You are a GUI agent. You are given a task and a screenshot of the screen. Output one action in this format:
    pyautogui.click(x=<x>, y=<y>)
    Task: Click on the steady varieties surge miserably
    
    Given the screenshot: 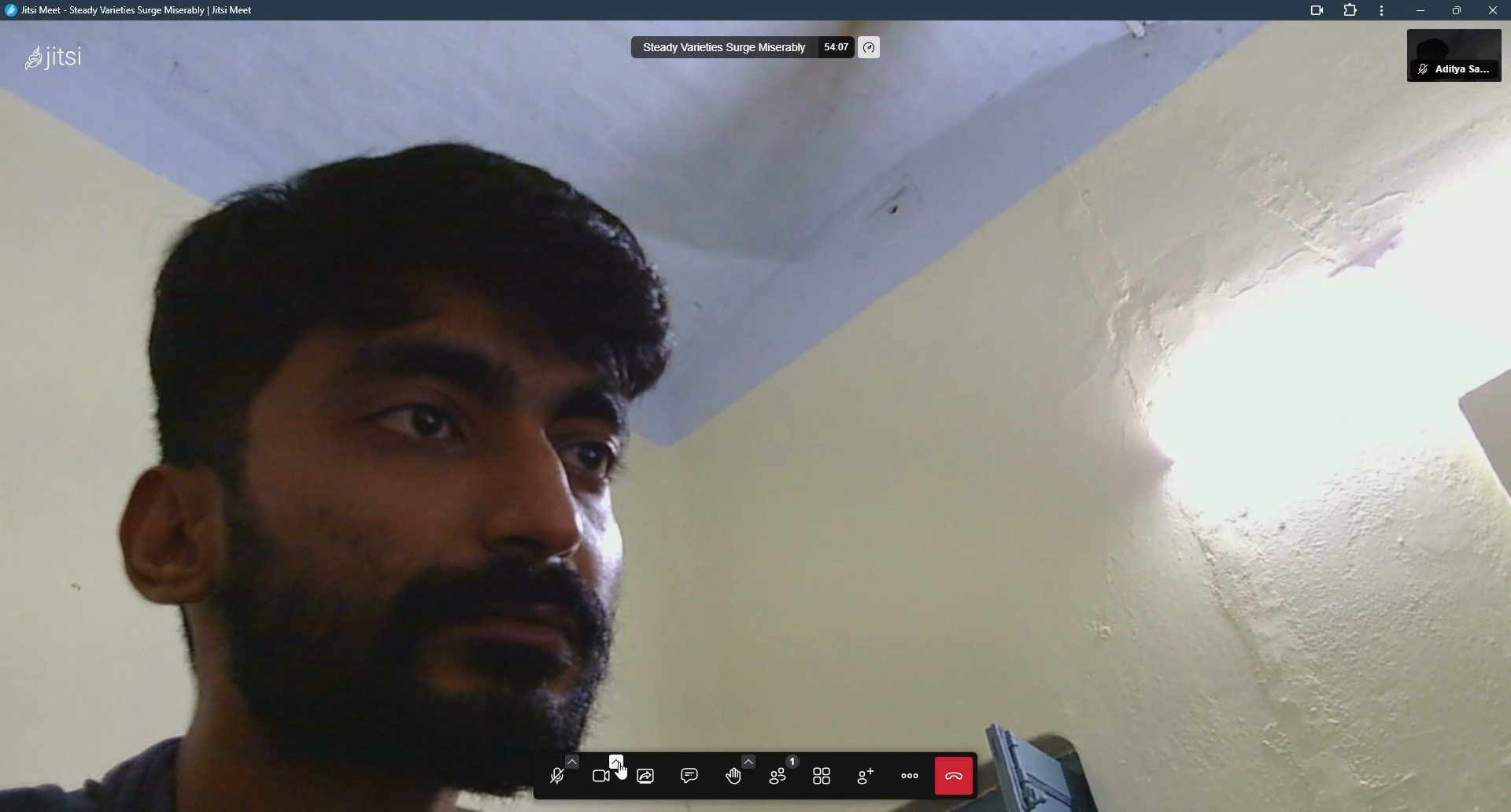 What is the action you would take?
    pyautogui.click(x=722, y=48)
    